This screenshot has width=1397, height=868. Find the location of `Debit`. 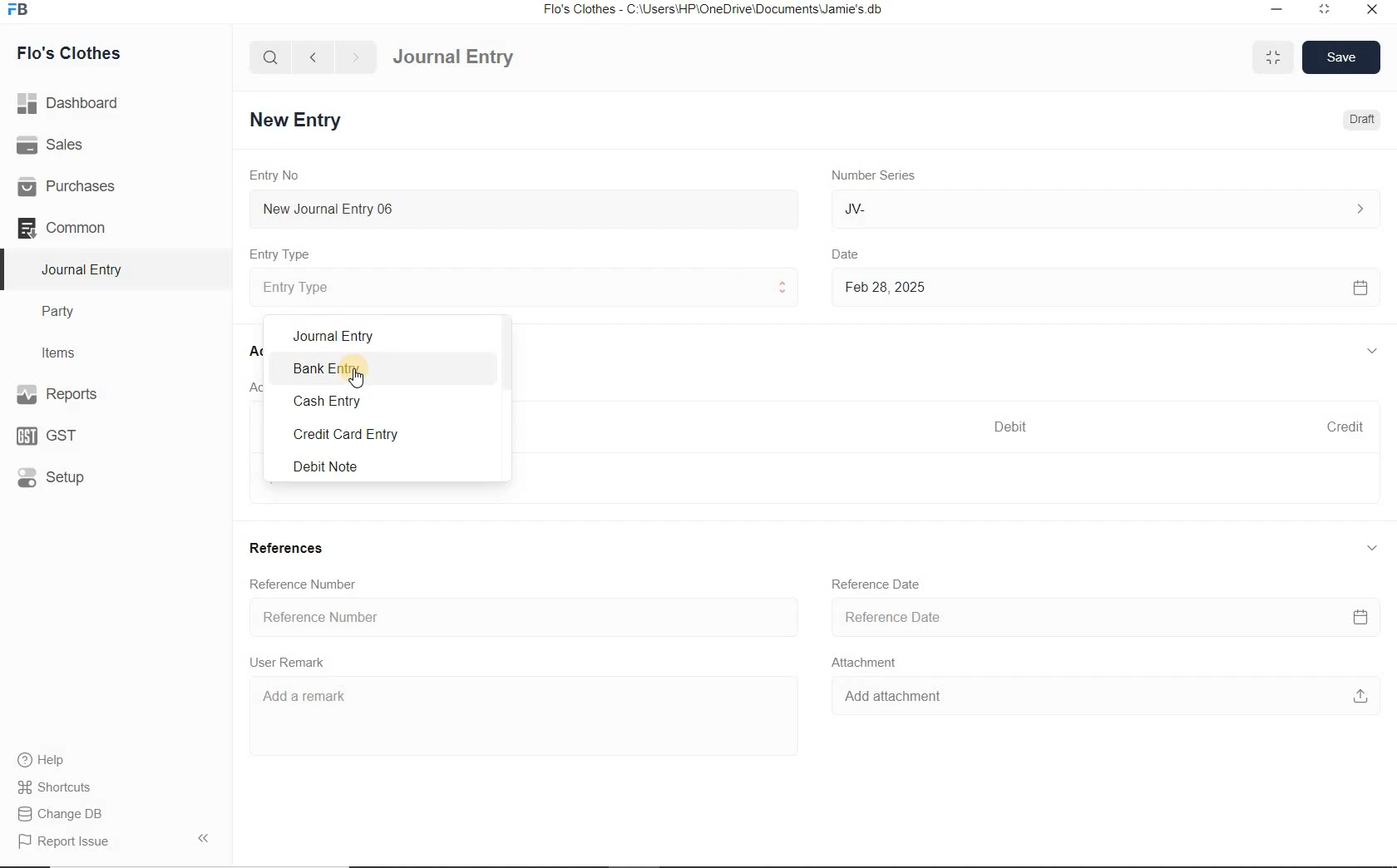

Debit is located at coordinates (1012, 427).